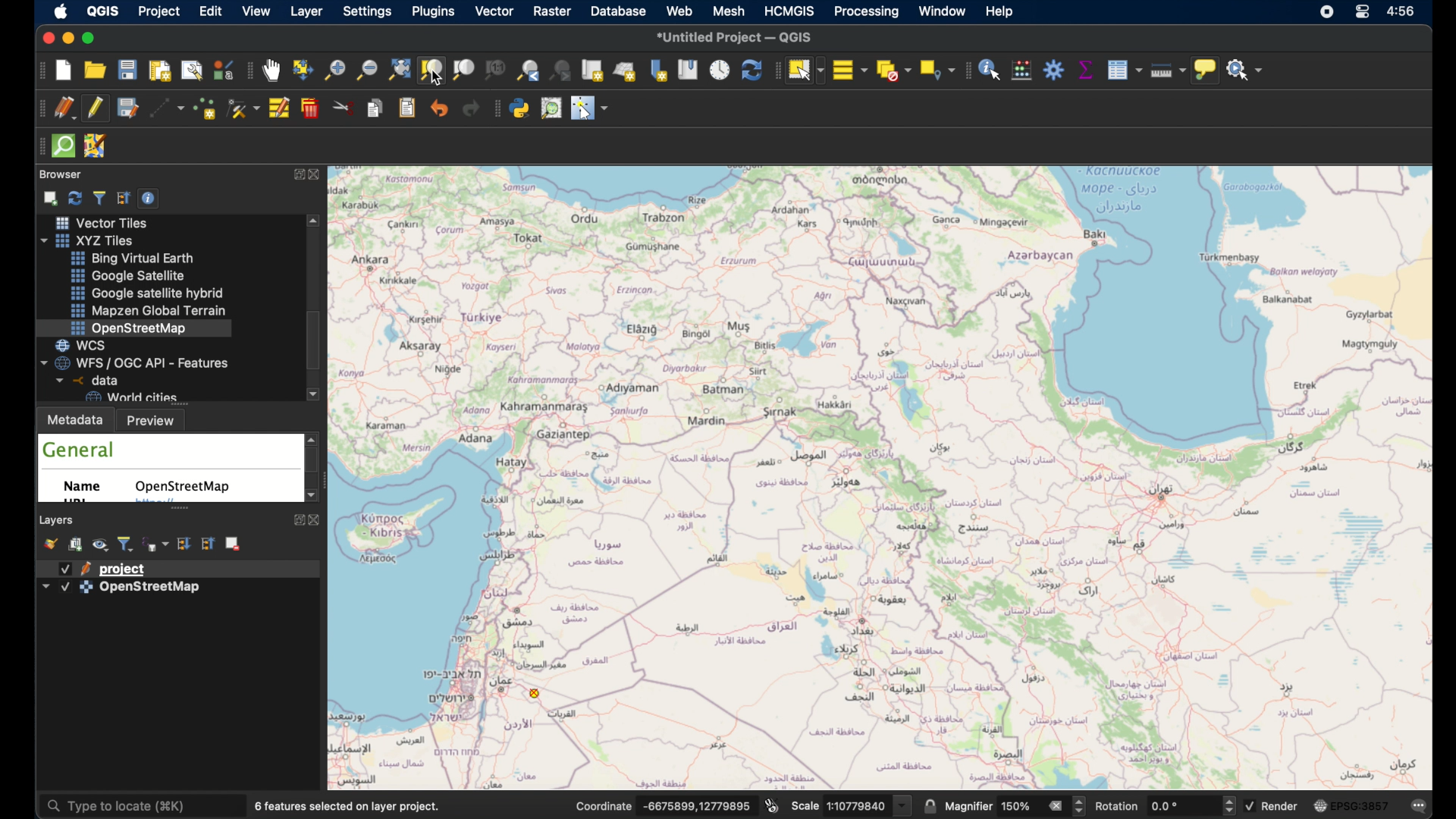 The image size is (1456, 819). Describe the element at coordinates (805, 69) in the screenshot. I see `select feature by area or single click` at that location.